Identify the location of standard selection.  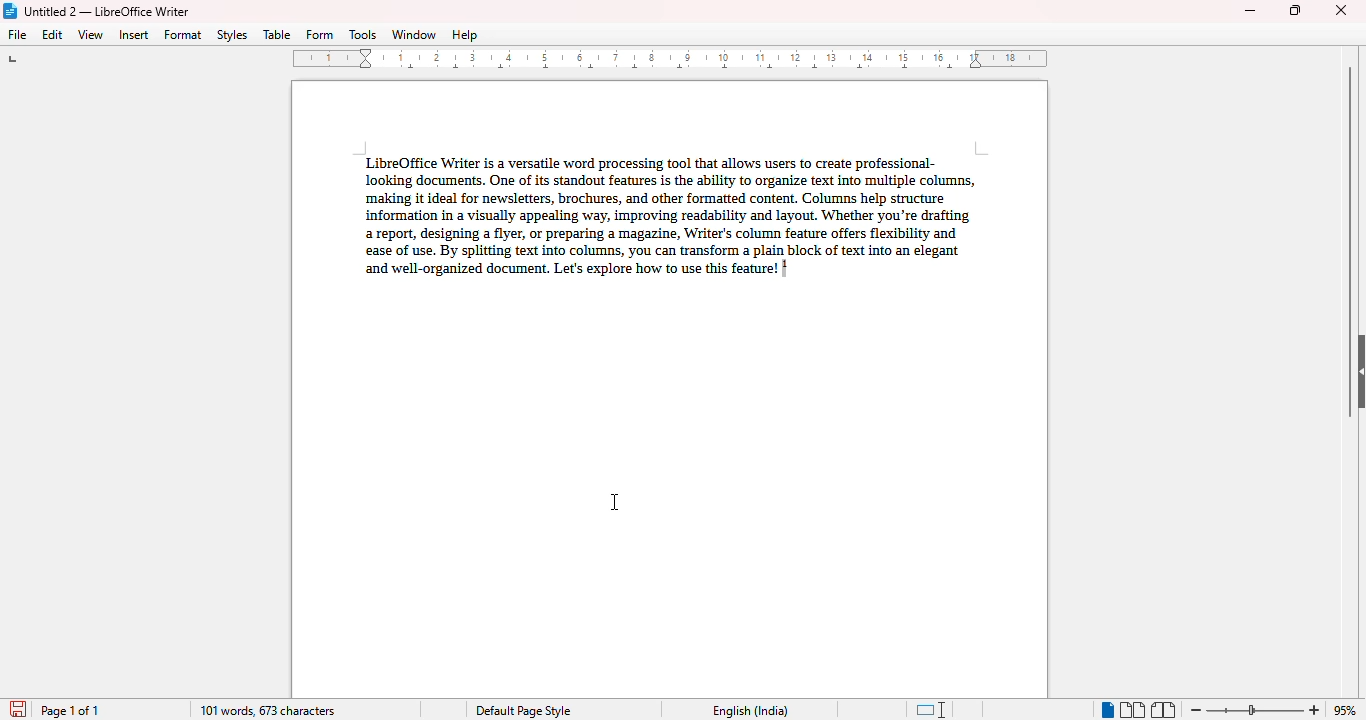
(931, 709).